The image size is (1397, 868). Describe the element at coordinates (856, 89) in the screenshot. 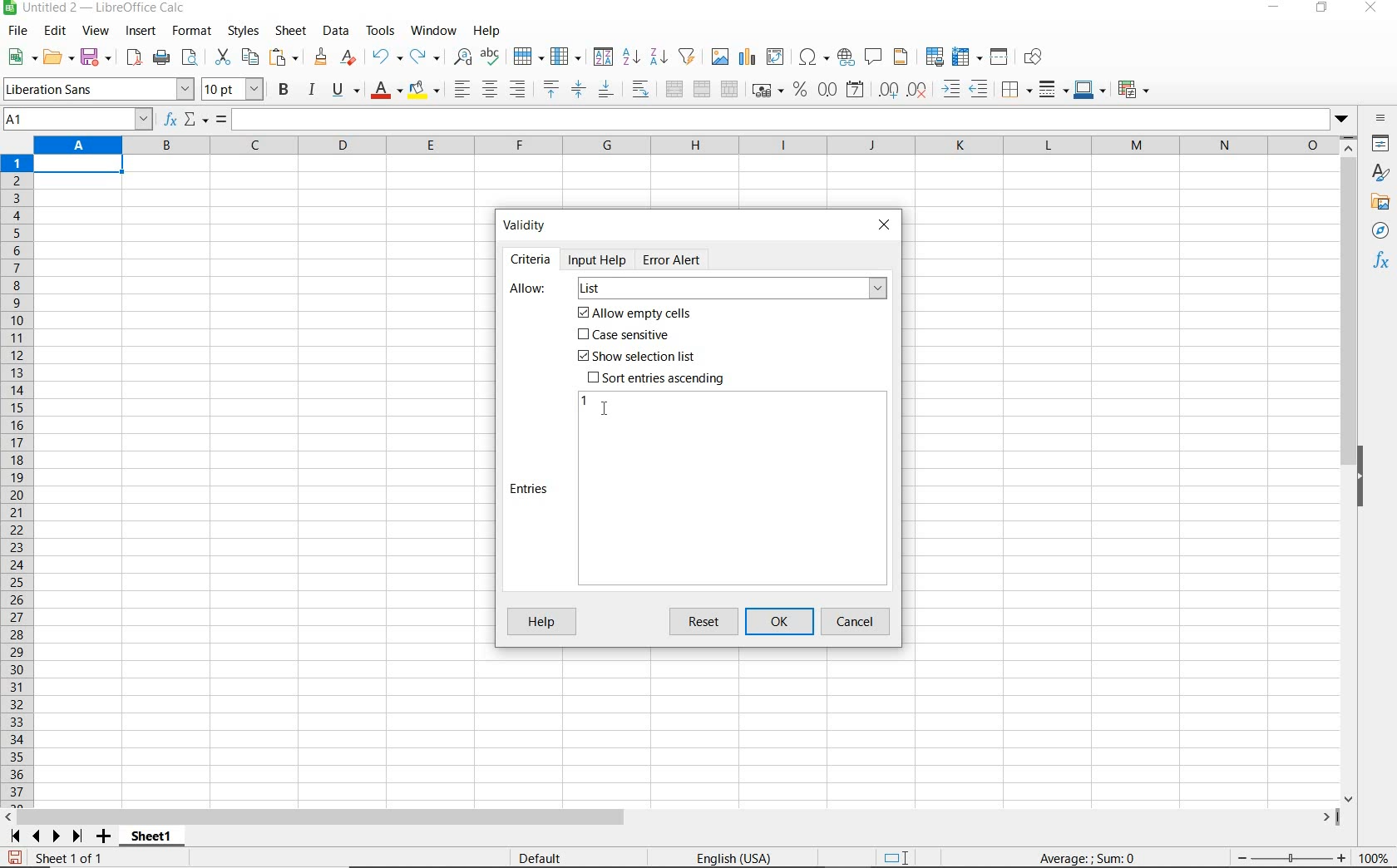

I see `format as date` at that location.